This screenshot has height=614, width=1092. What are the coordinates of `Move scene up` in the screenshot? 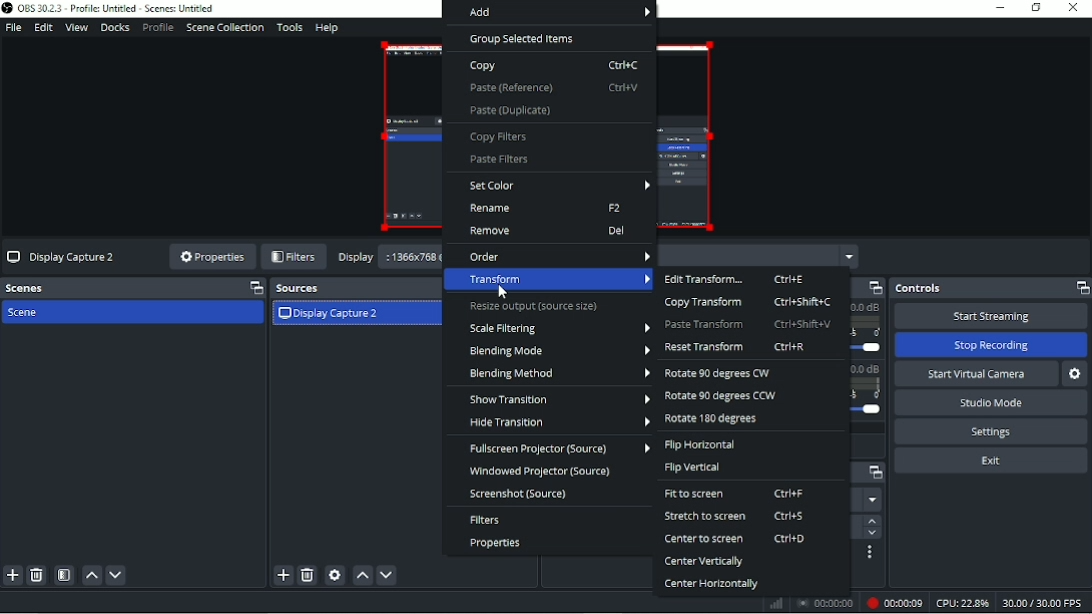 It's located at (93, 576).